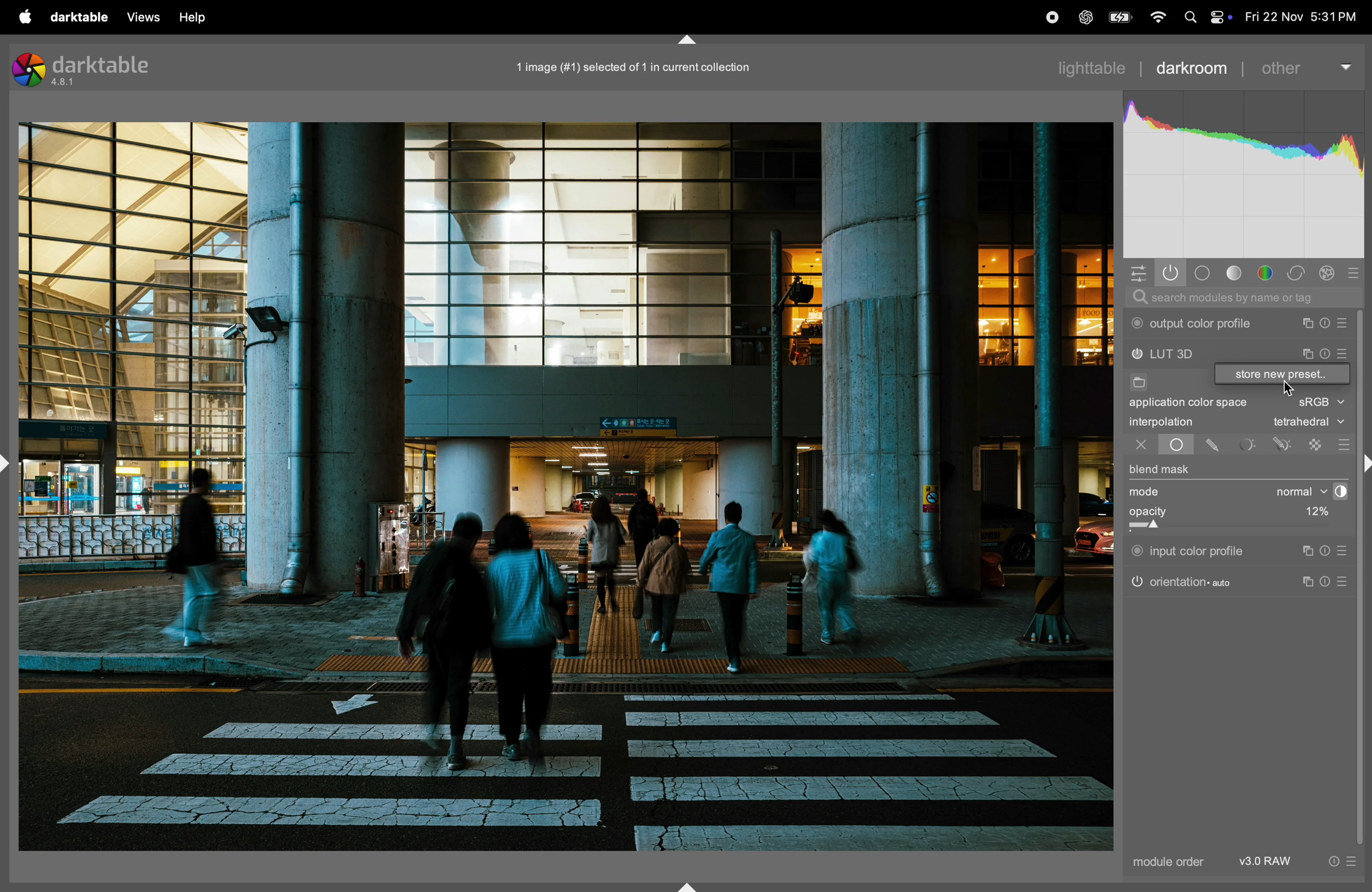 Image resolution: width=1372 pixels, height=892 pixels. What do you see at coordinates (1242, 298) in the screenshot?
I see `searchbar` at bounding box center [1242, 298].